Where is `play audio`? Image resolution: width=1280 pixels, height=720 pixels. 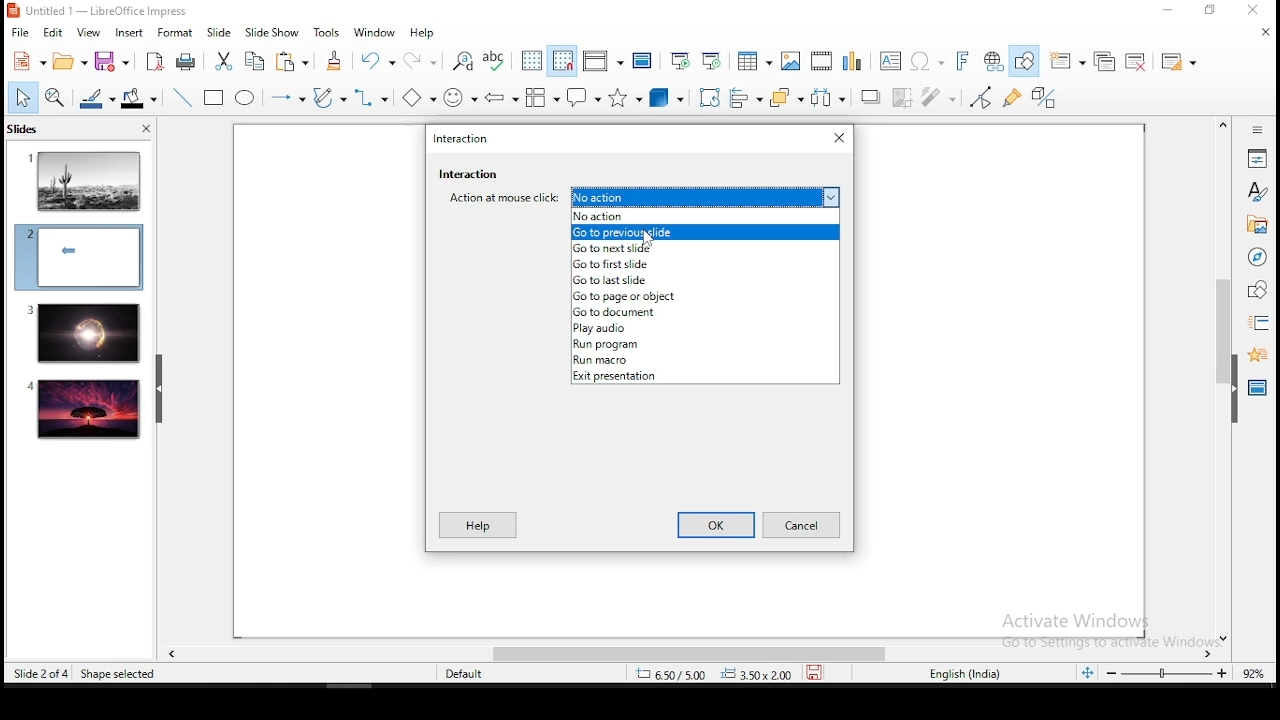
play audio is located at coordinates (706, 327).